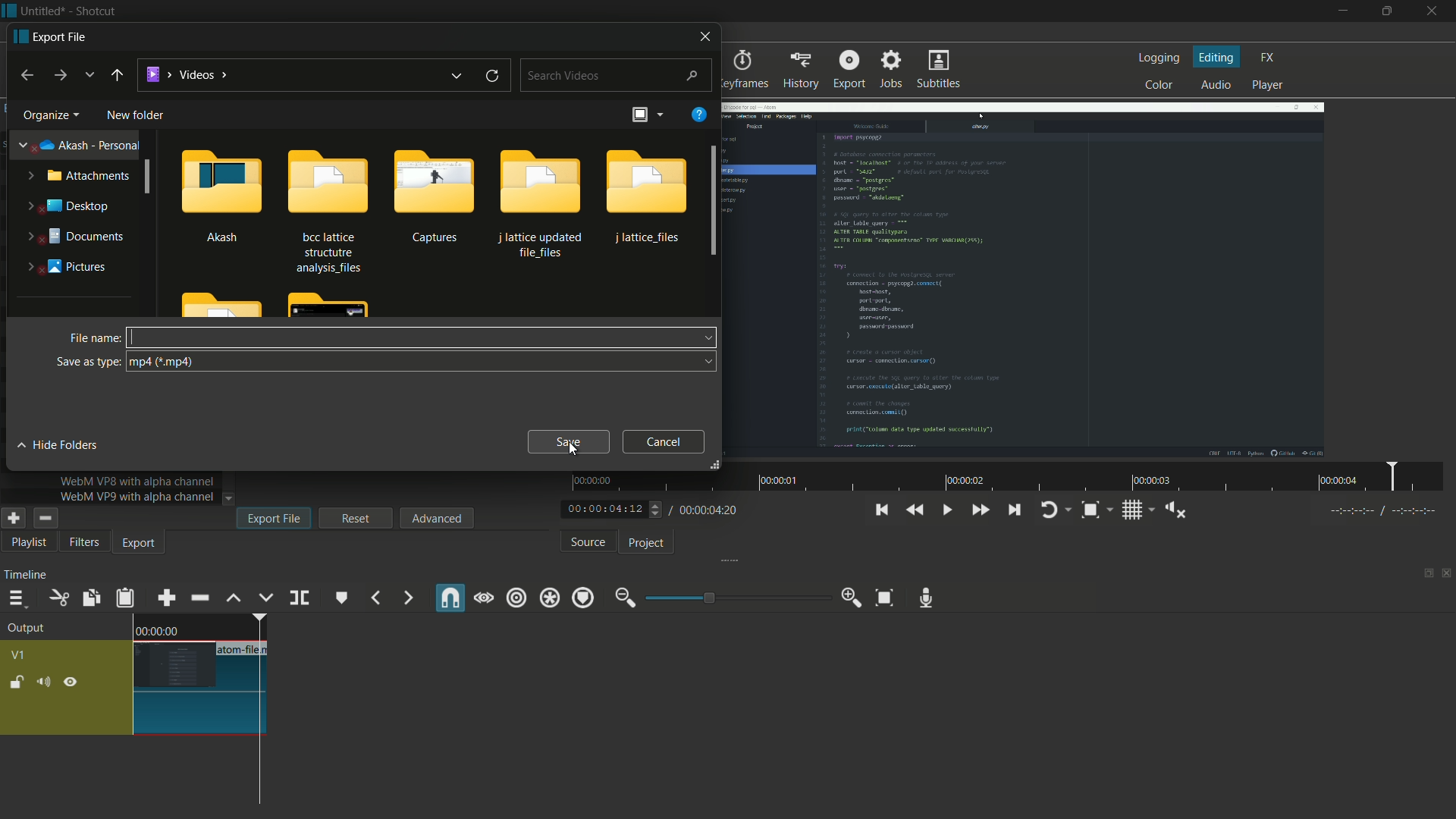 The height and width of the screenshot is (819, 1456). What do you see at coordinates (664, 441) in the screenshot?
I see `cancel` at bounding box center [664, 441].